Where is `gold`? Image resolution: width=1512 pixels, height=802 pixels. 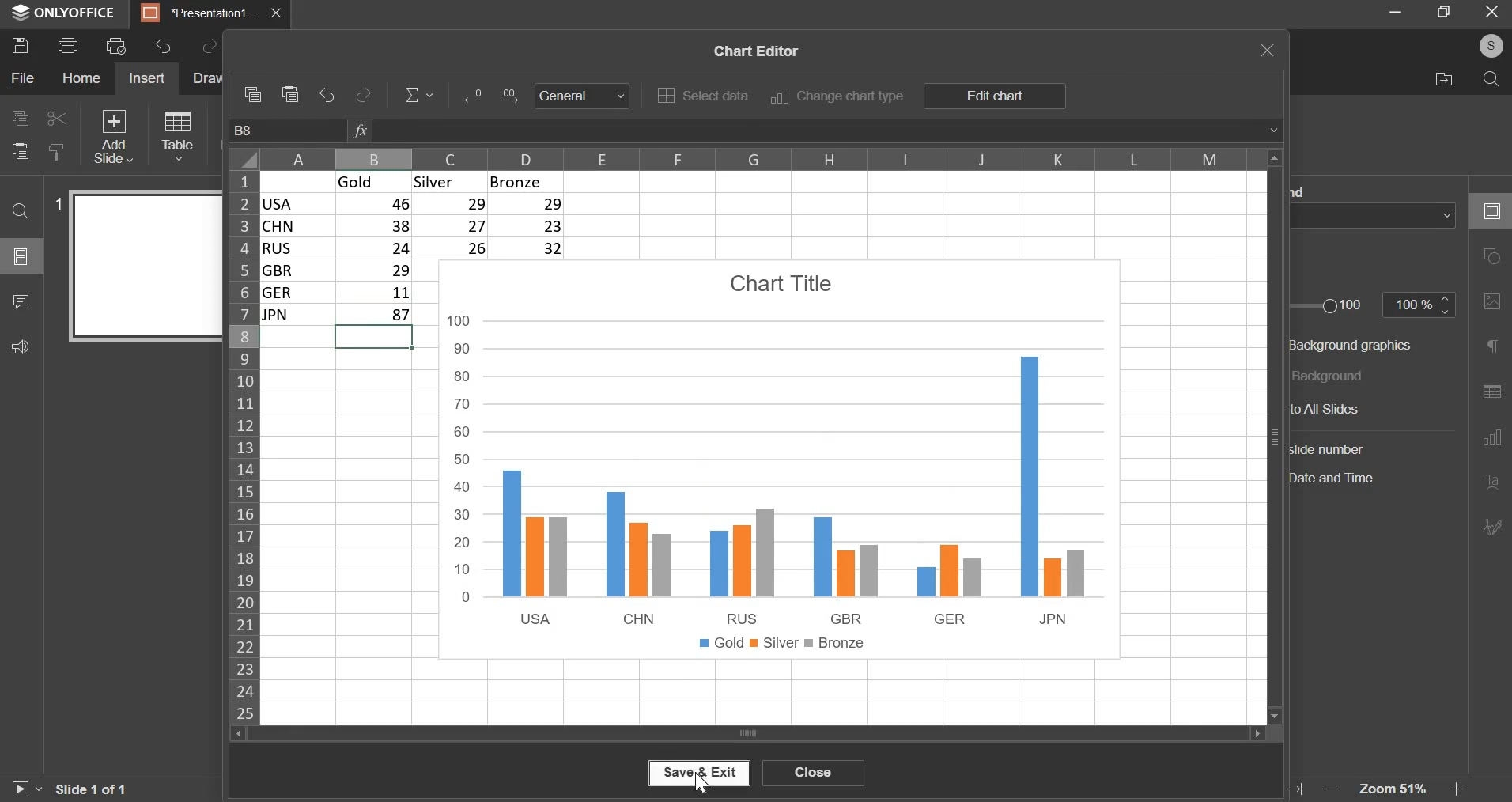
gold is located at coordinates (365, 181).